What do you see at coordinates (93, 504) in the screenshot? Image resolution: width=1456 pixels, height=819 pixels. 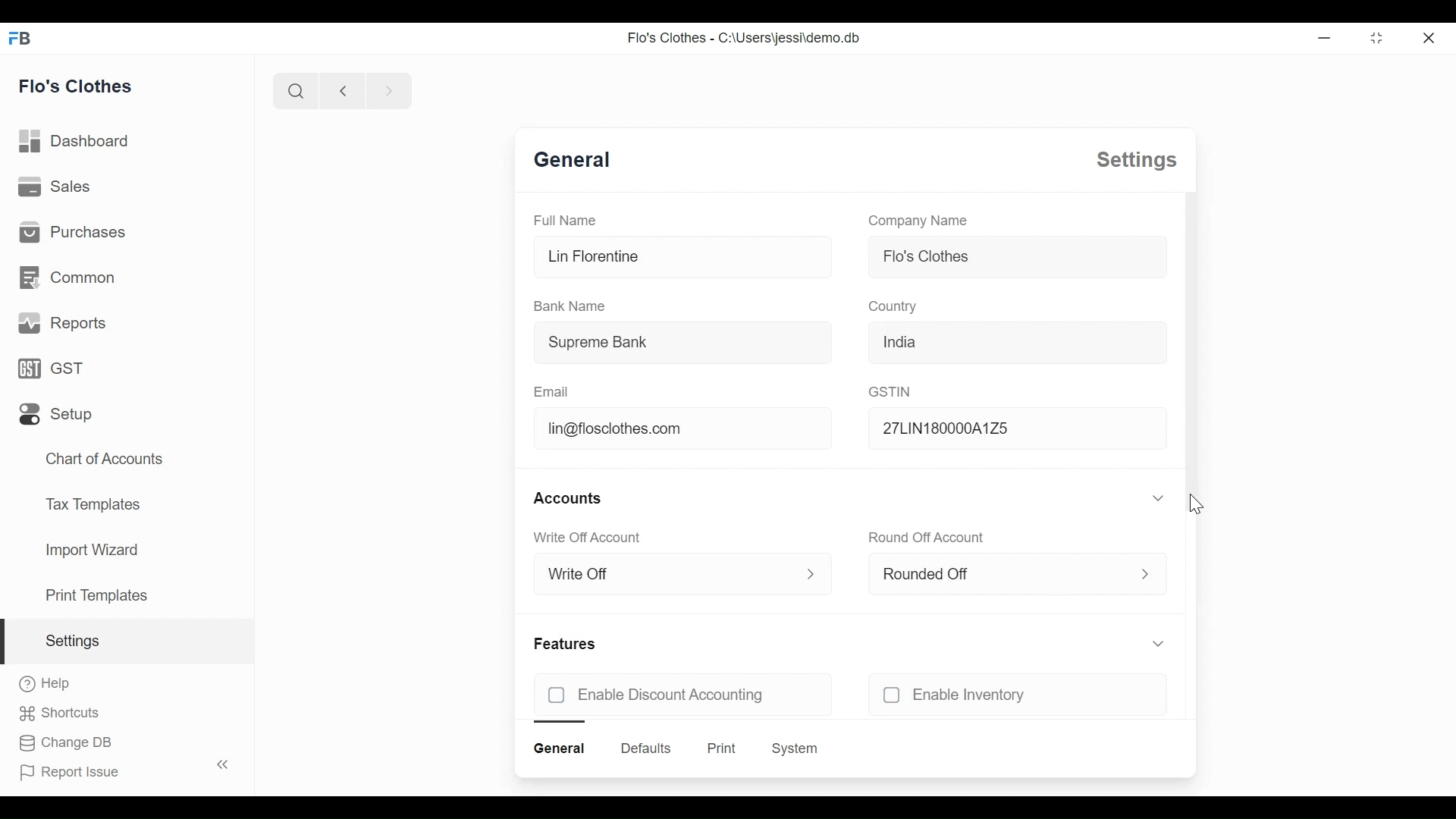 I see `Tax Templates` at bounding box center [93, 504].